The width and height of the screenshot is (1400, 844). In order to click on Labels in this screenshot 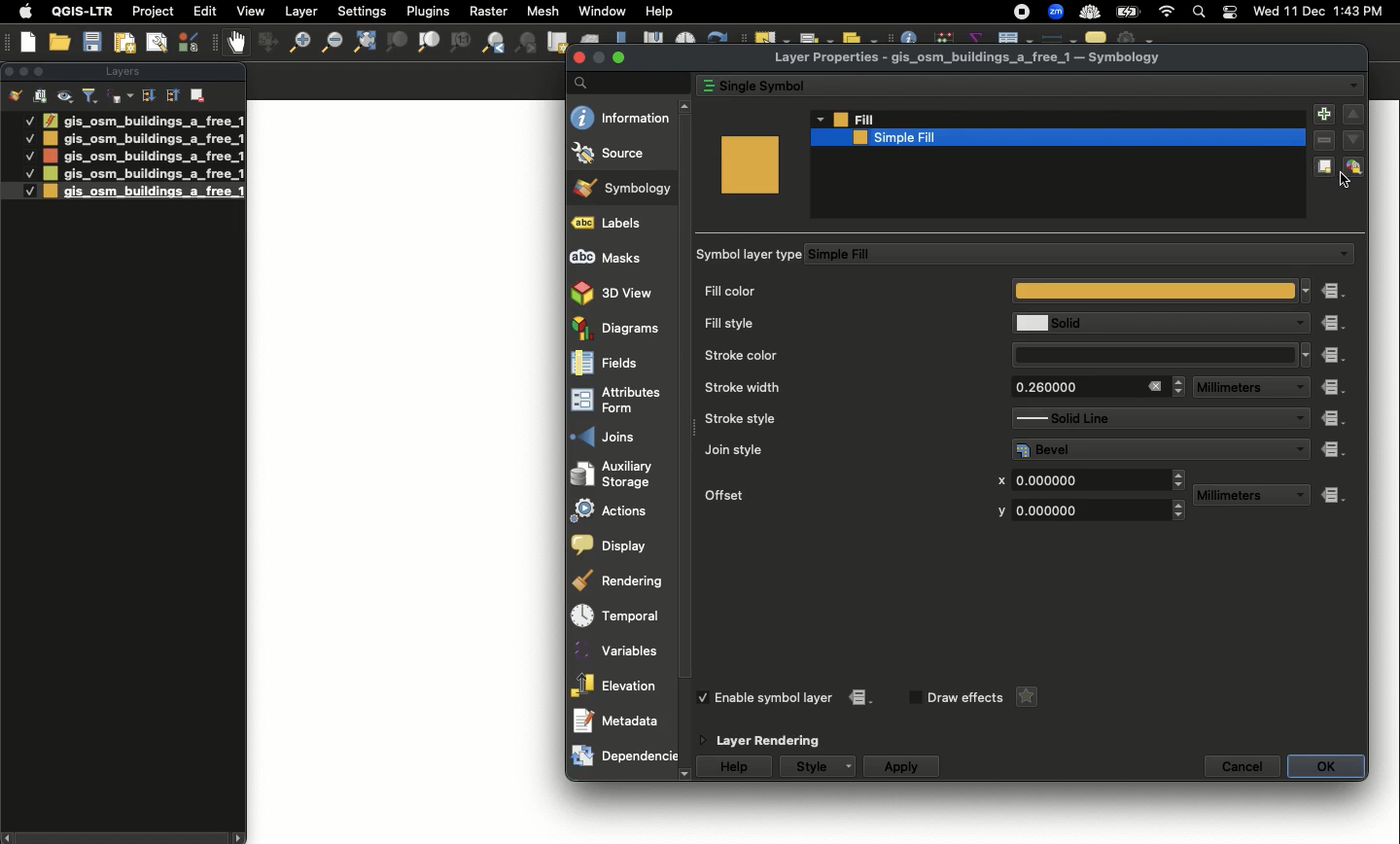, I will do `click(620, 224)`.